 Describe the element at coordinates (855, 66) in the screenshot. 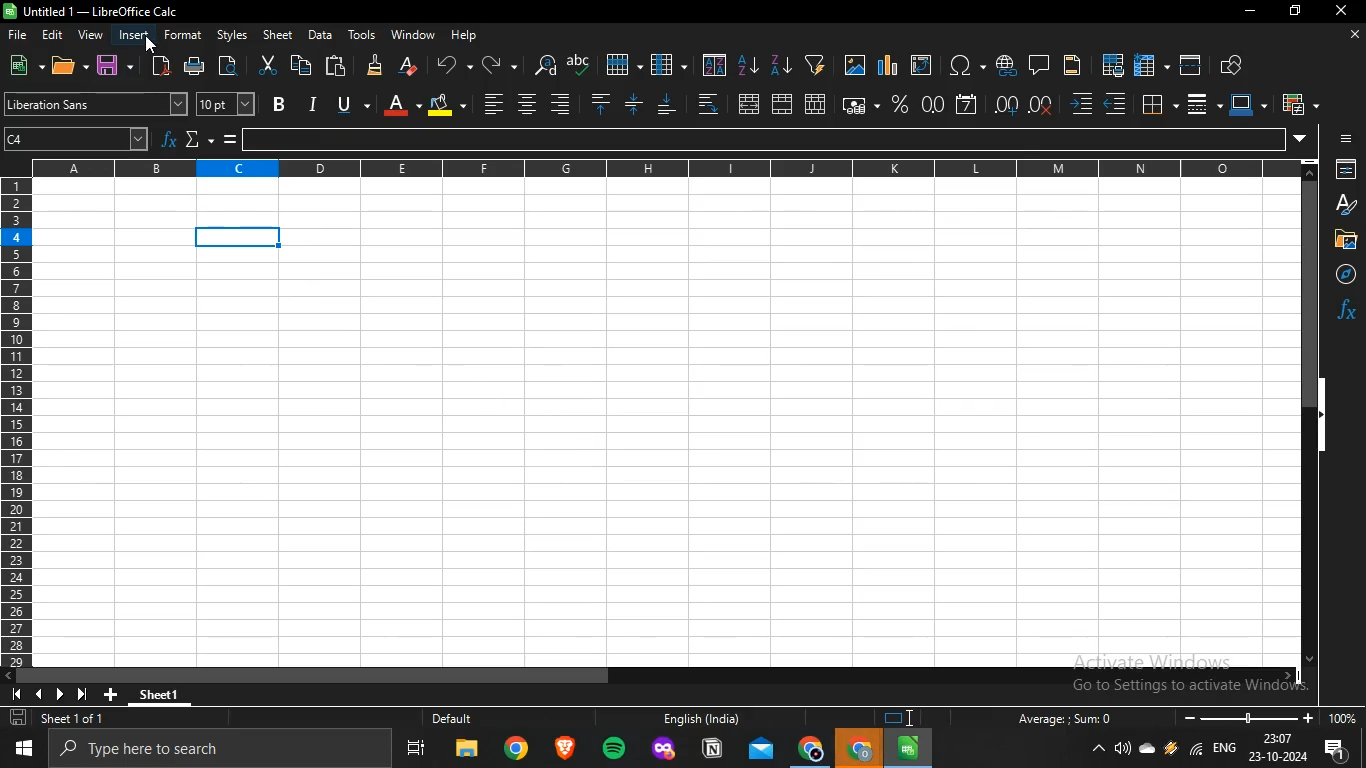

I see `insert images` at that location.